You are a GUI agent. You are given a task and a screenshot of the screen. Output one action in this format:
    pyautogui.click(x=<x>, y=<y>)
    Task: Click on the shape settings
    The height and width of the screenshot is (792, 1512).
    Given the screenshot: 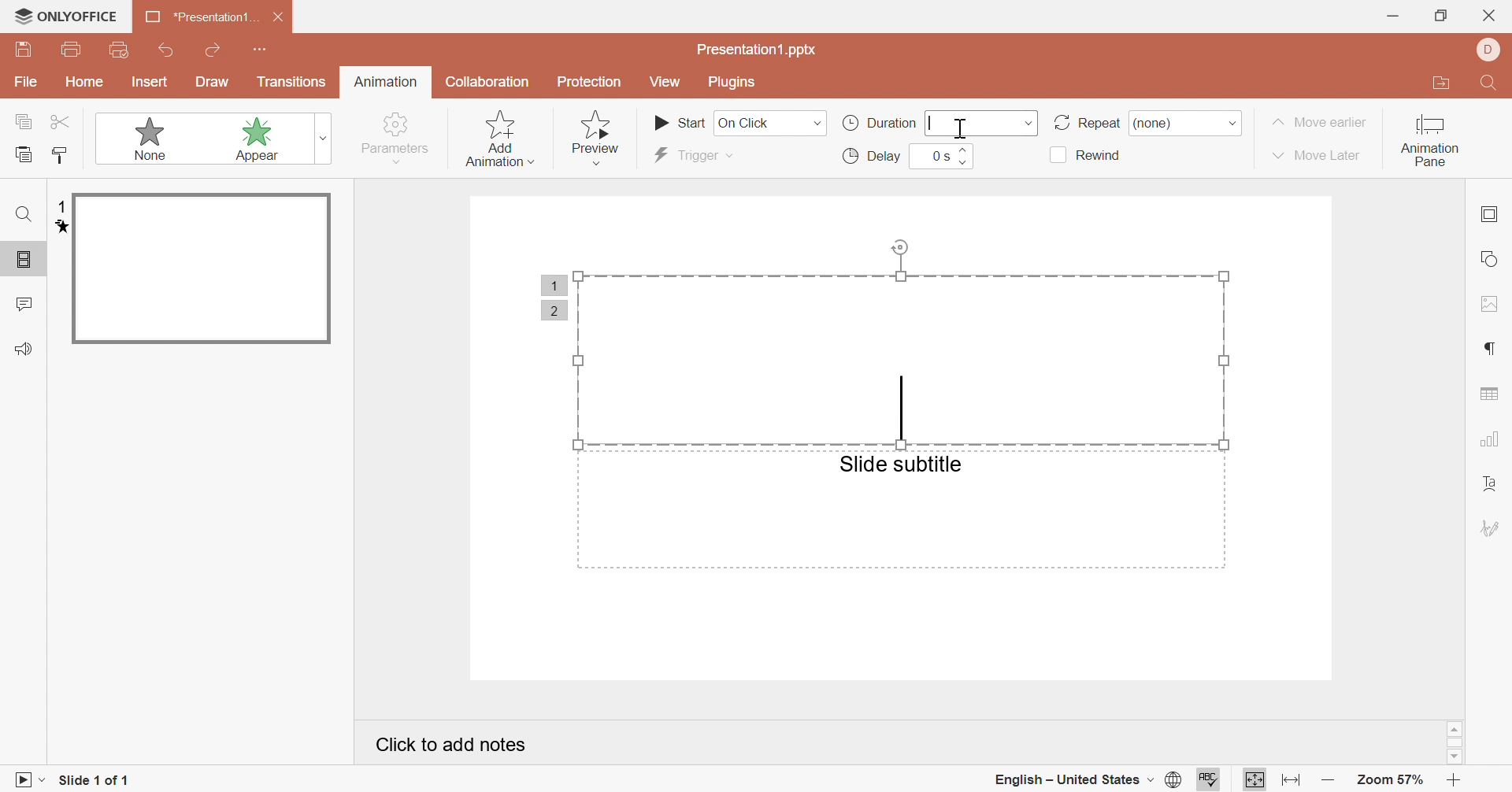 What is the action you would take?
    pyautogui.click(x=1488, y=257)
    